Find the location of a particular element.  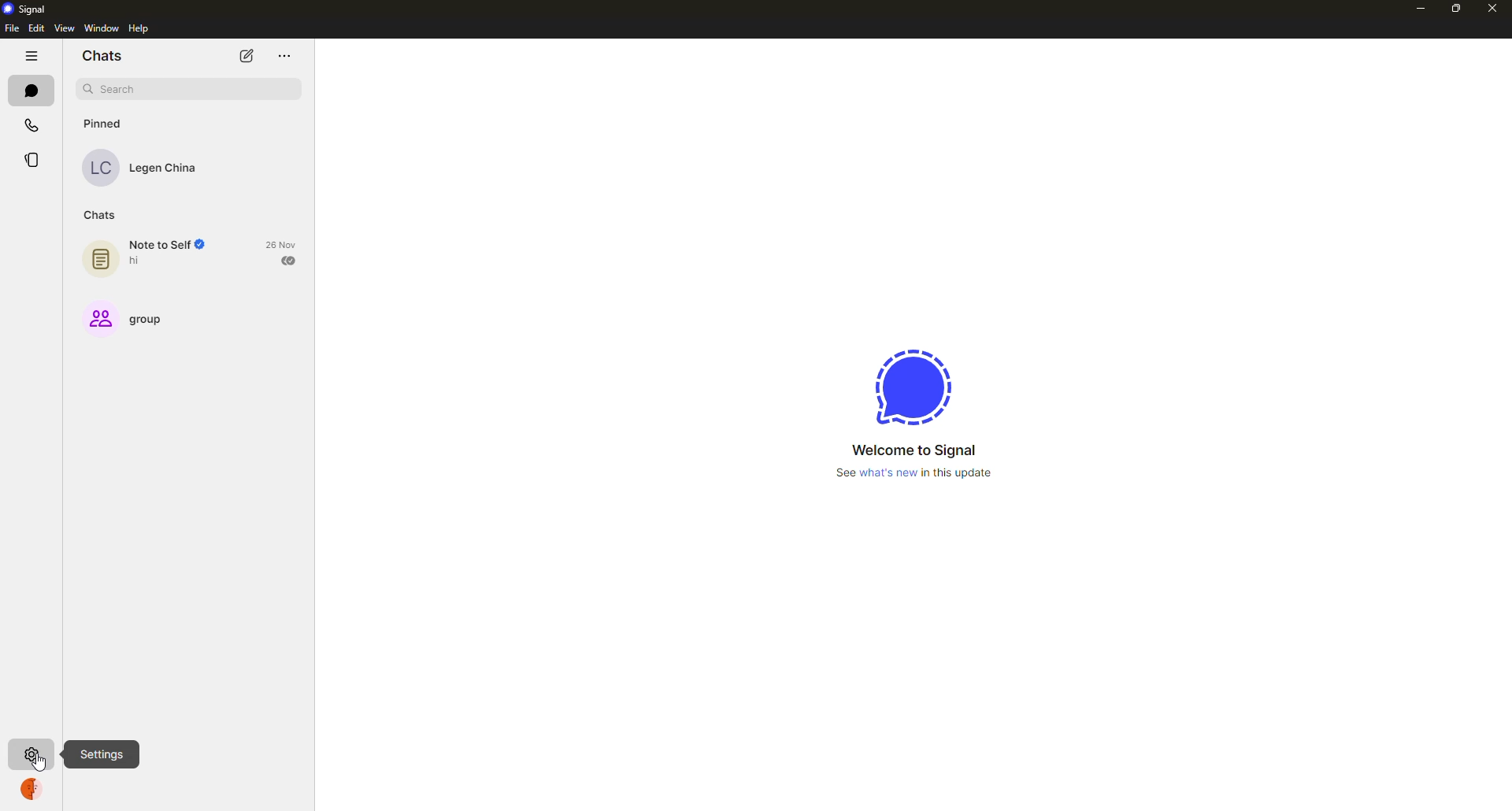

more is located at coordinates (283, 56).